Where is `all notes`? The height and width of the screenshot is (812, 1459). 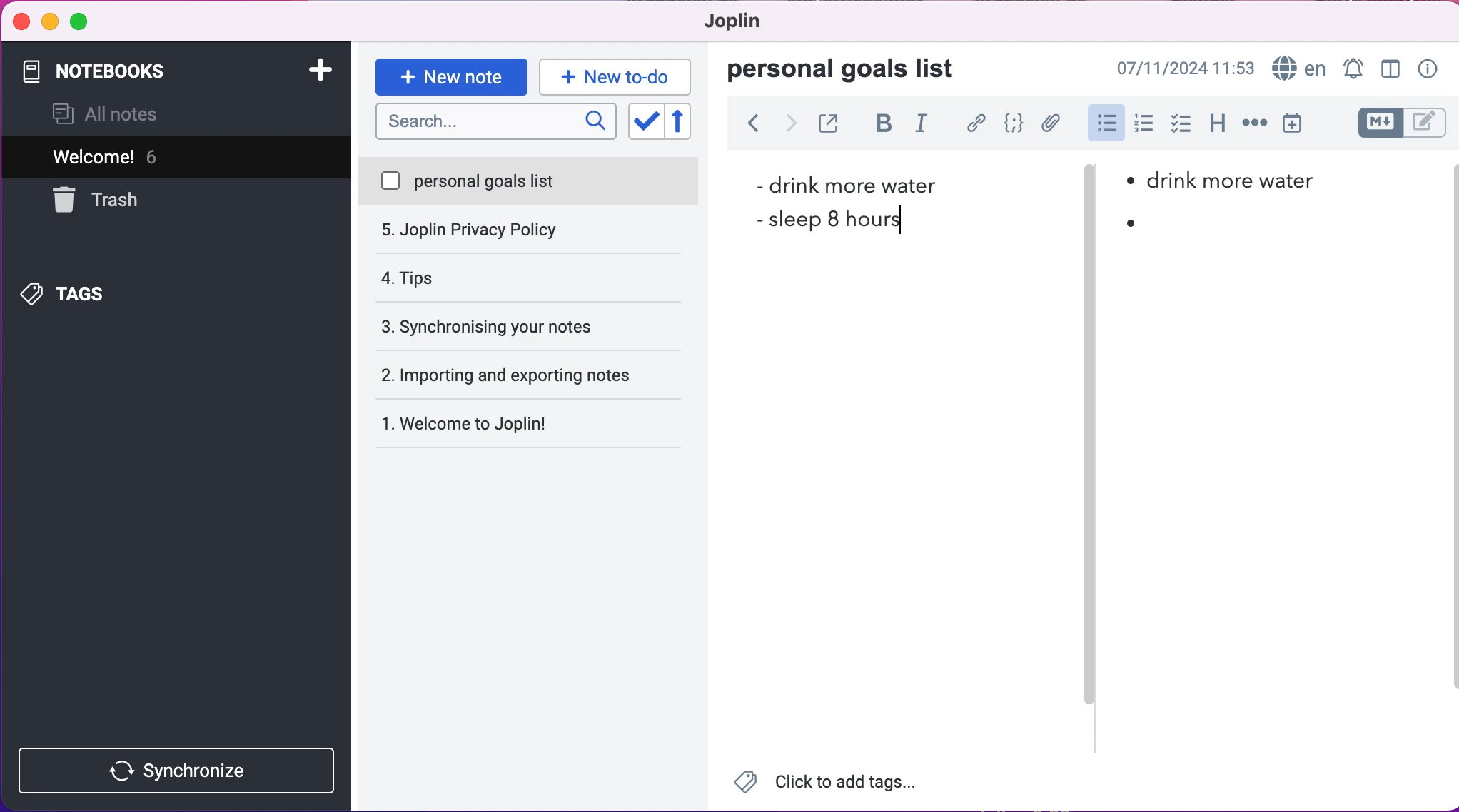
all notes is located at coordinates (114, 116).